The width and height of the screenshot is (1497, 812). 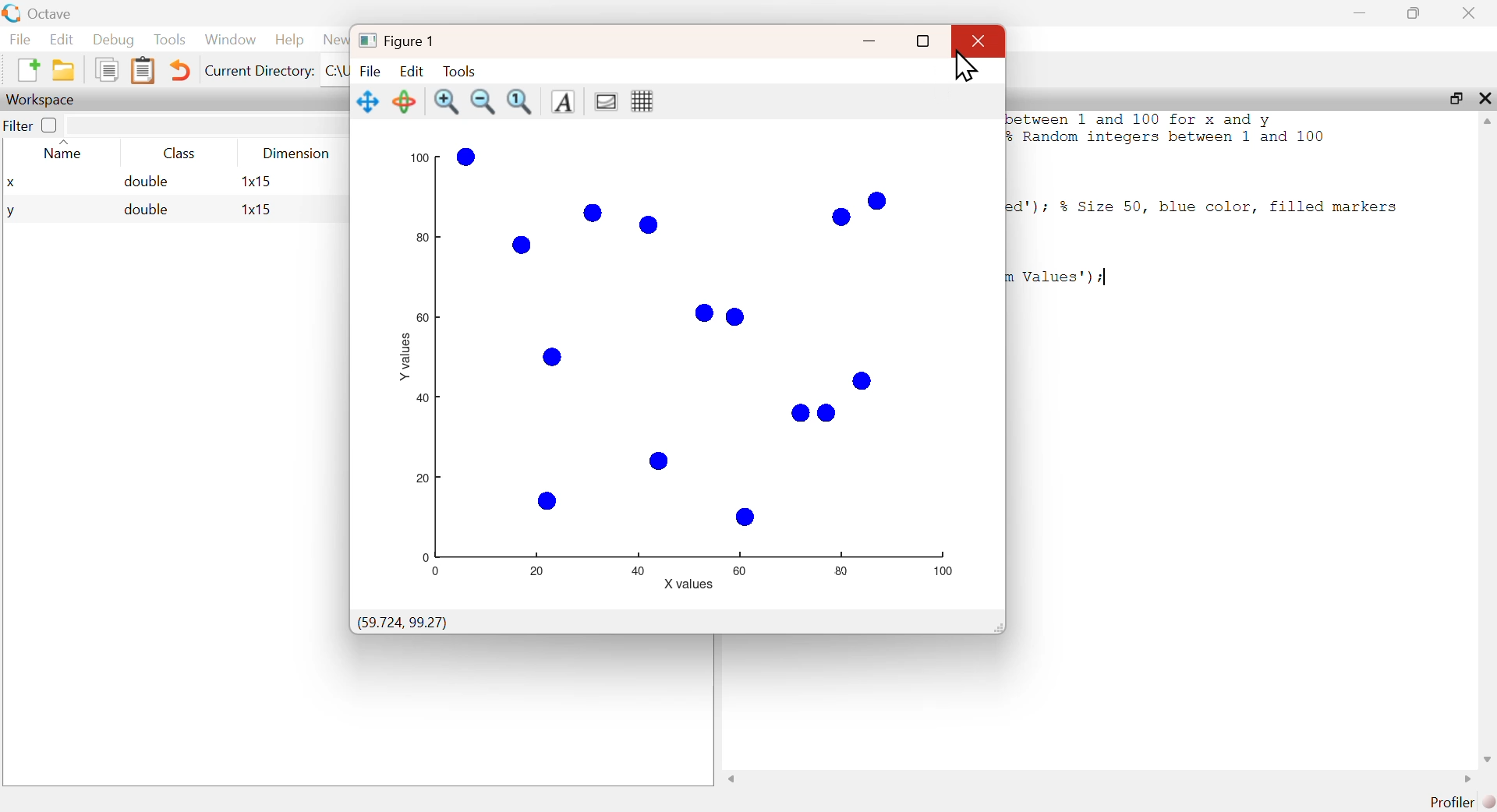 What do you see at coordinates (11, 212) in the screenshot?
I see `y` at bounding box center [11, 212].